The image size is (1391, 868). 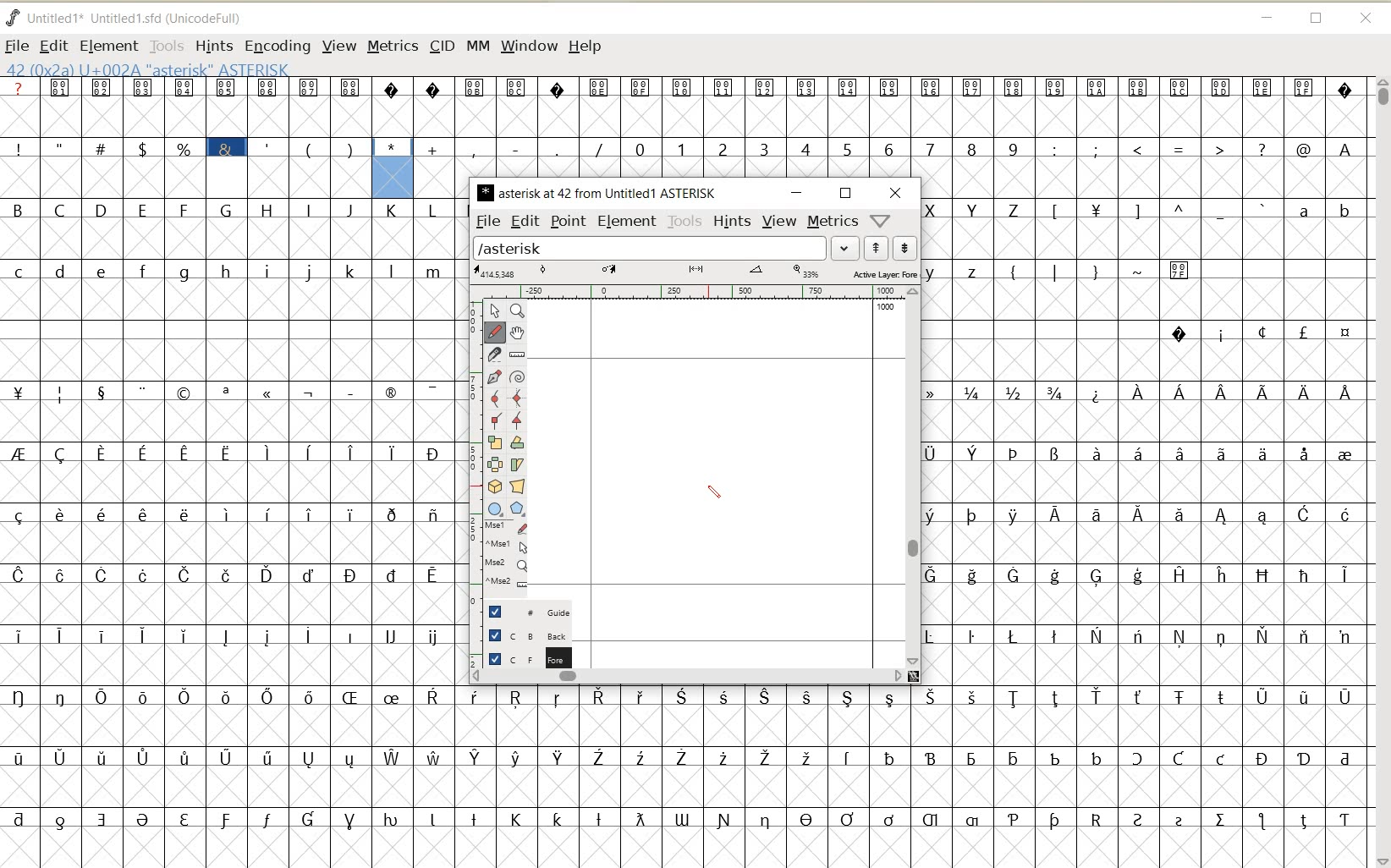 What do you see at coordinates (494, 333) in the screenshot?
I see `draw a freehand curve` at bounding box center [494, 333].